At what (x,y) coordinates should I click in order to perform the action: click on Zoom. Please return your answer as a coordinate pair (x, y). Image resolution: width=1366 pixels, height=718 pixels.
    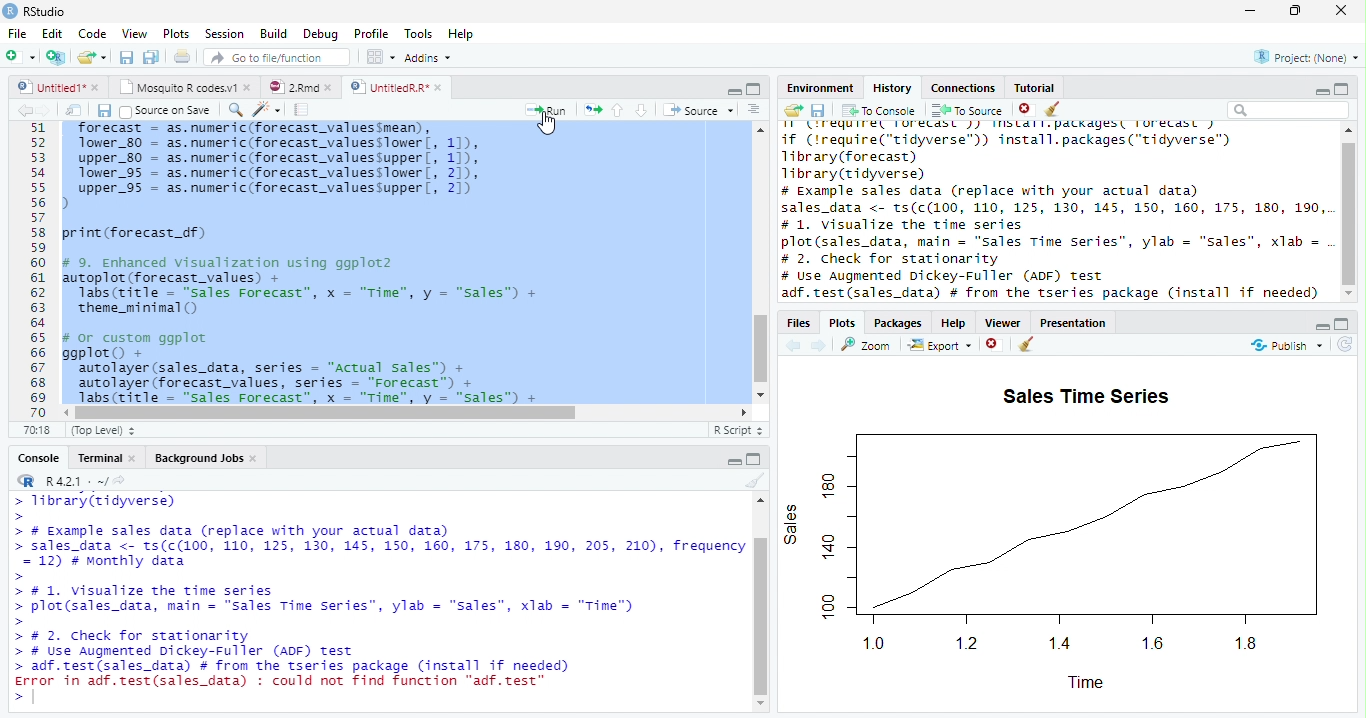
    Looking at the image, I should click on (864, 345).